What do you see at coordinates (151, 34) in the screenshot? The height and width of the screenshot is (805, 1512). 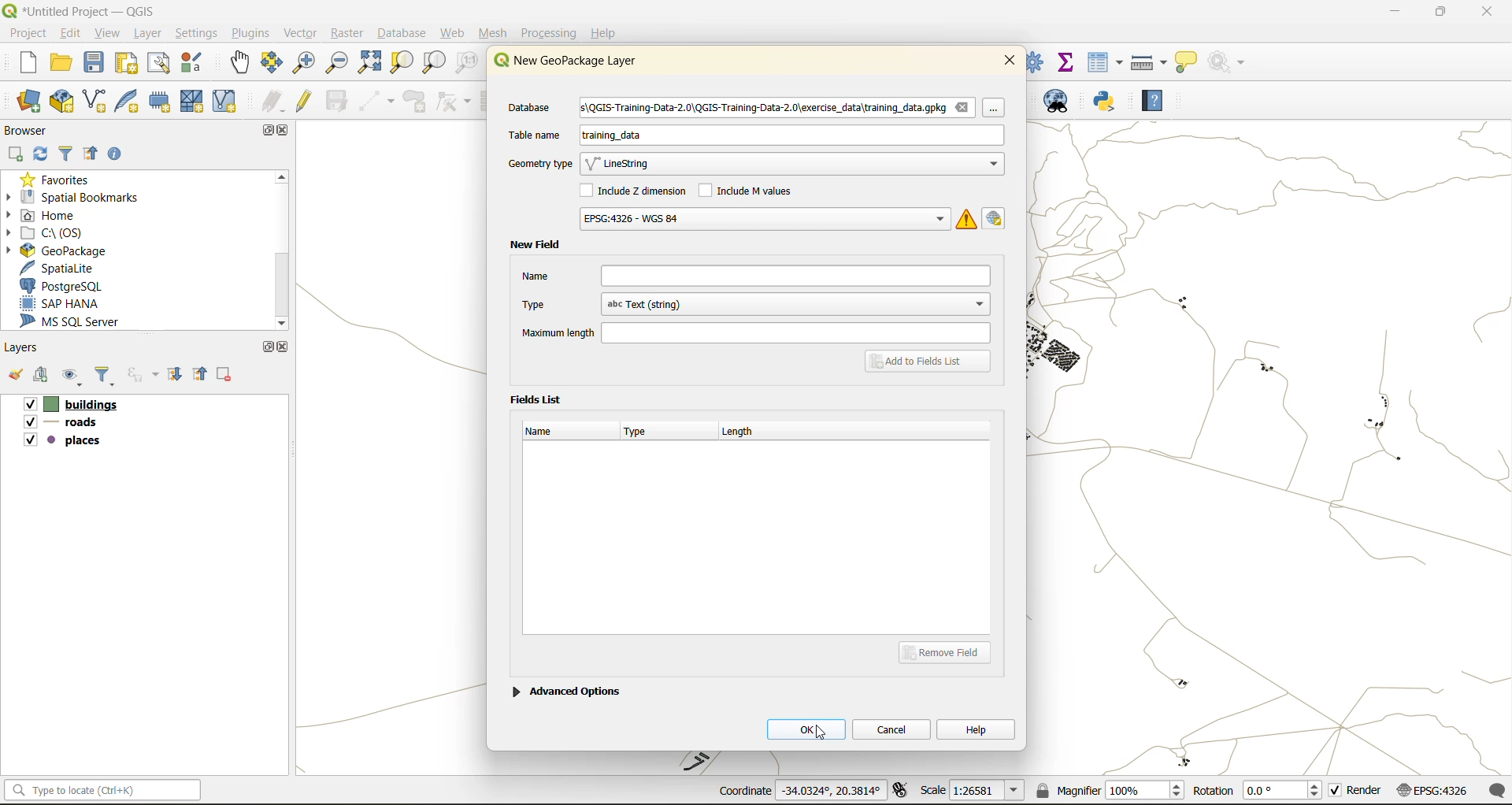 I see `layer` at bounding box center [151, 34].